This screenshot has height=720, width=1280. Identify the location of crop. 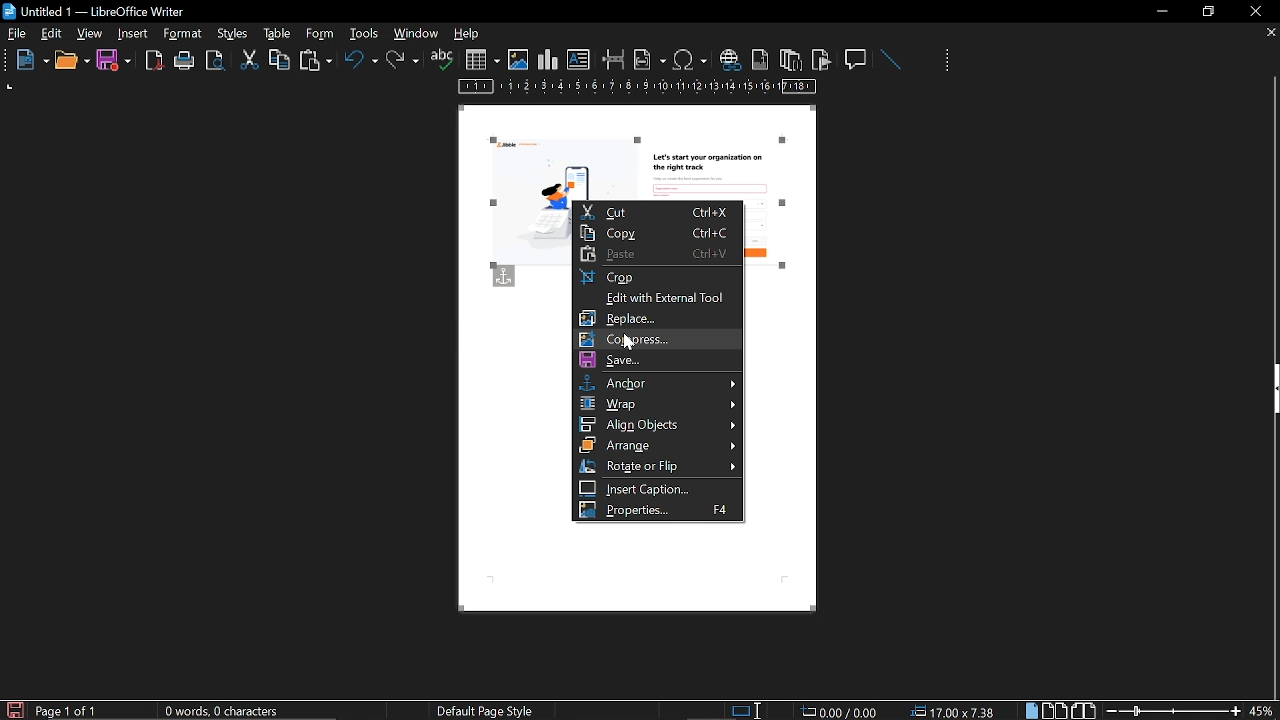
(658, 278).